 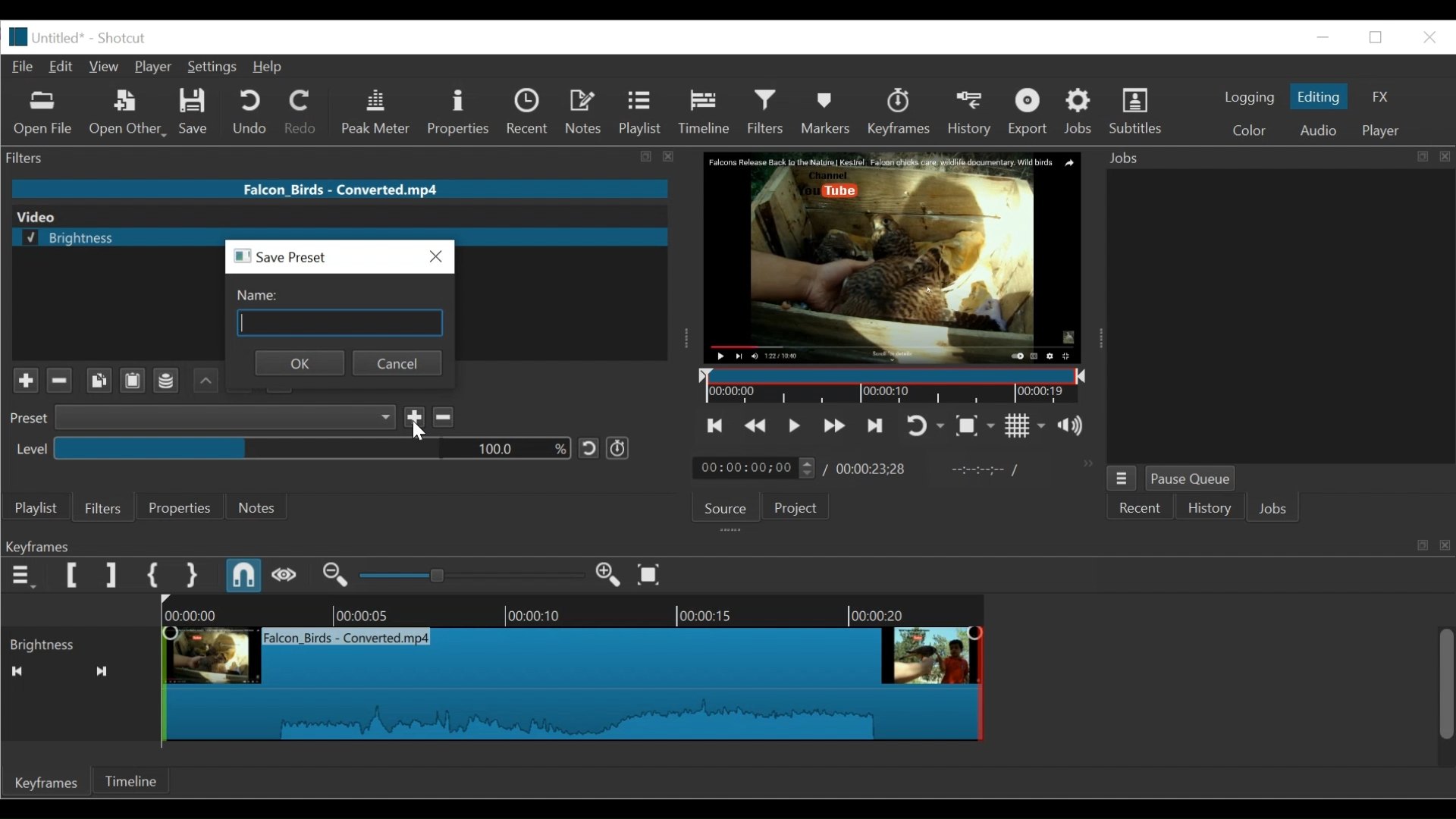 I want to click on Save, so click(x=193, y=112).